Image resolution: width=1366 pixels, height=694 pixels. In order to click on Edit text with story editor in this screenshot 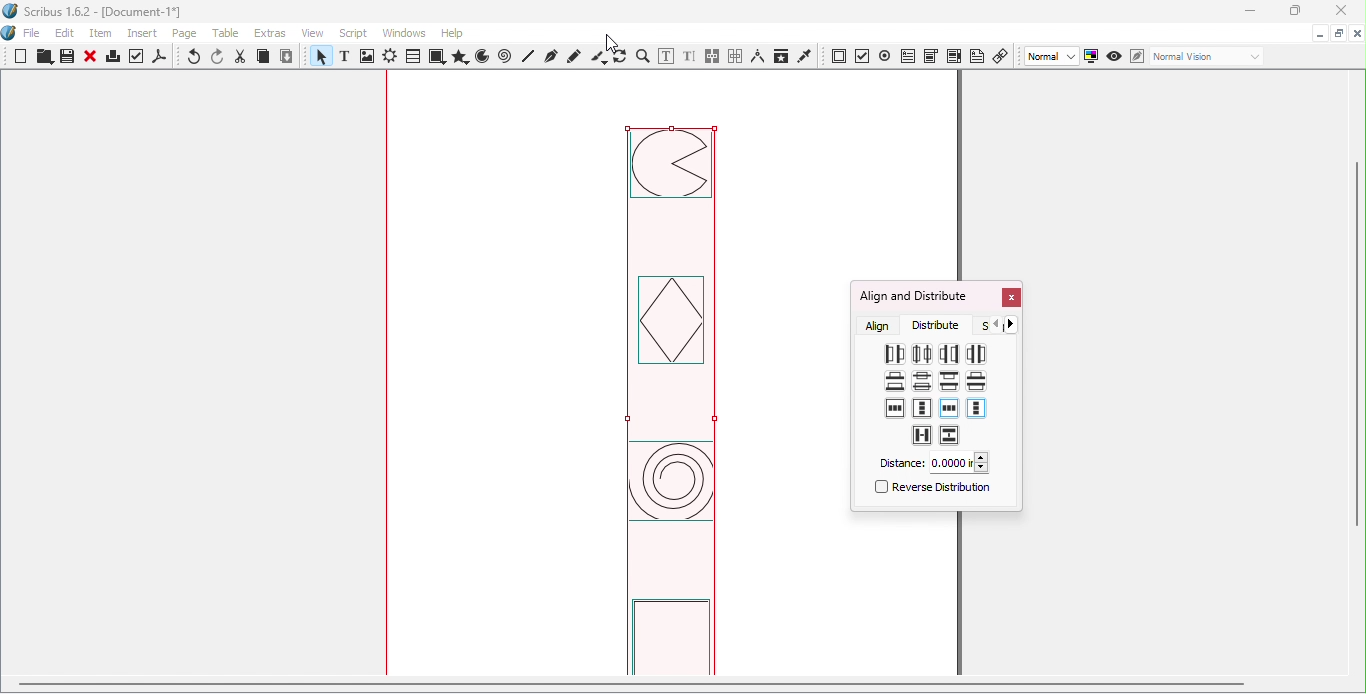, I will do `click(689, 57)`.